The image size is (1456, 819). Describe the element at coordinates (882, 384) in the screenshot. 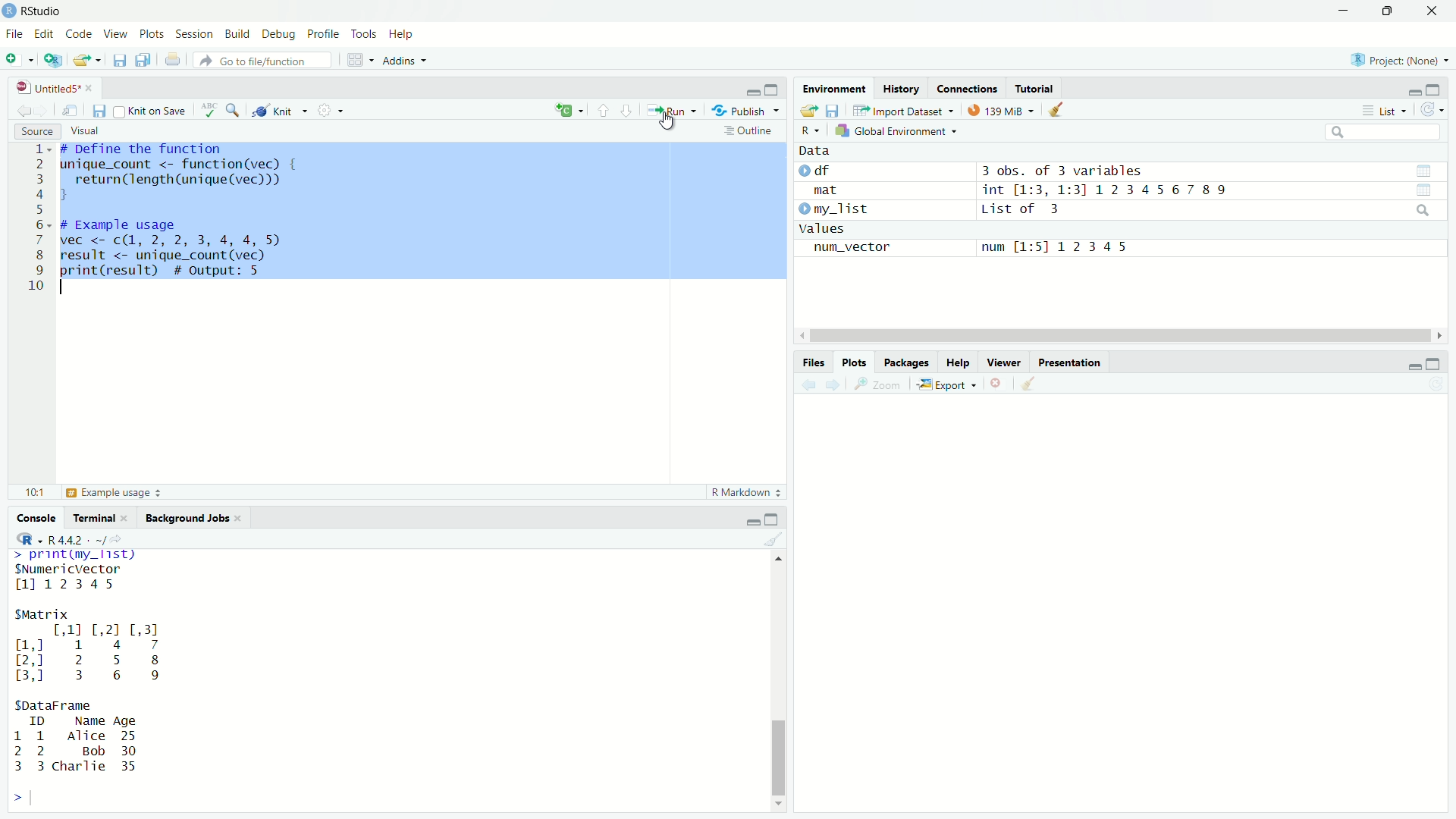

I see `Zoom` at that location.